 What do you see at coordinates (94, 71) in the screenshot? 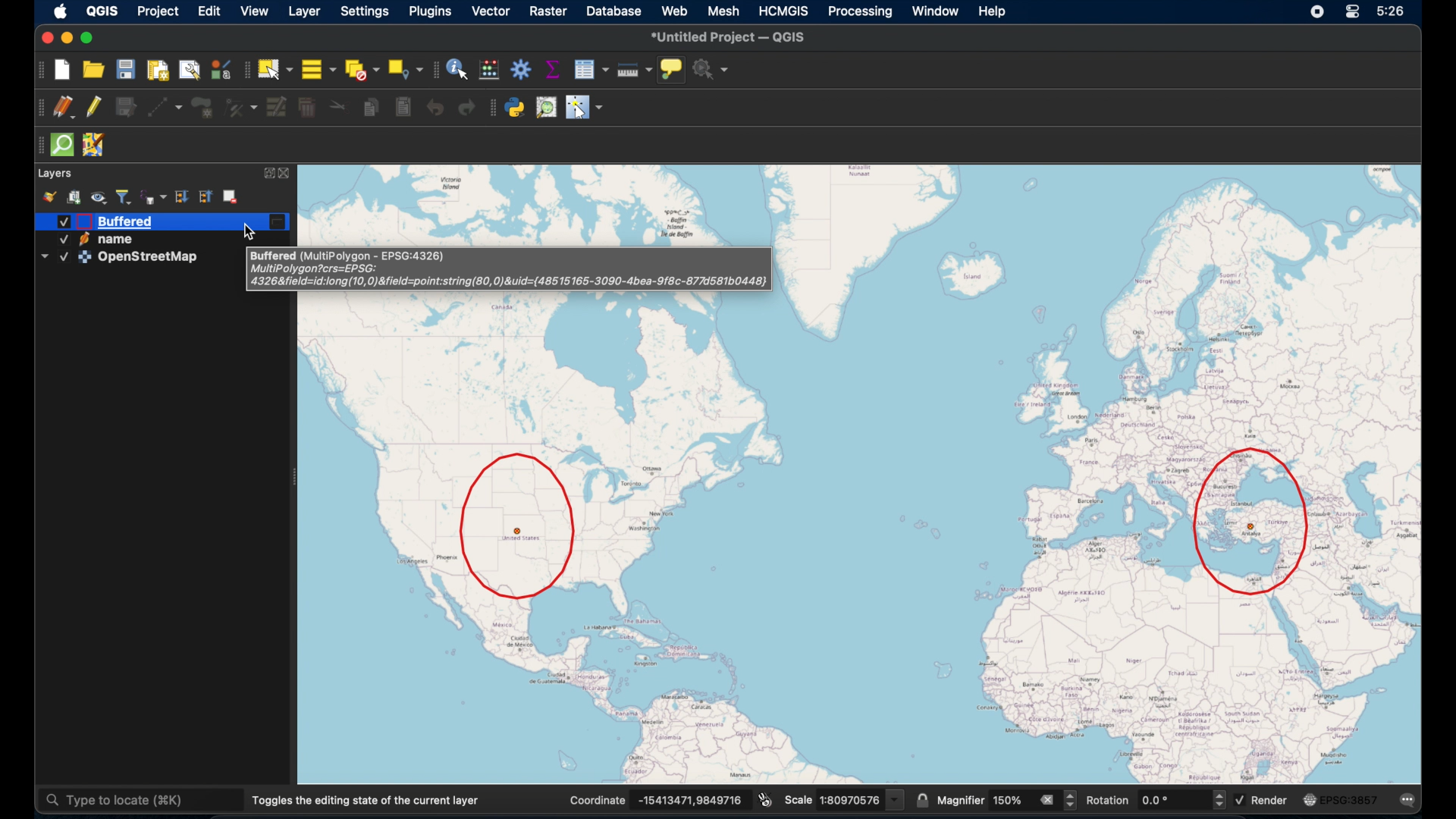
I see `open project` at bounding box center [94, 71].